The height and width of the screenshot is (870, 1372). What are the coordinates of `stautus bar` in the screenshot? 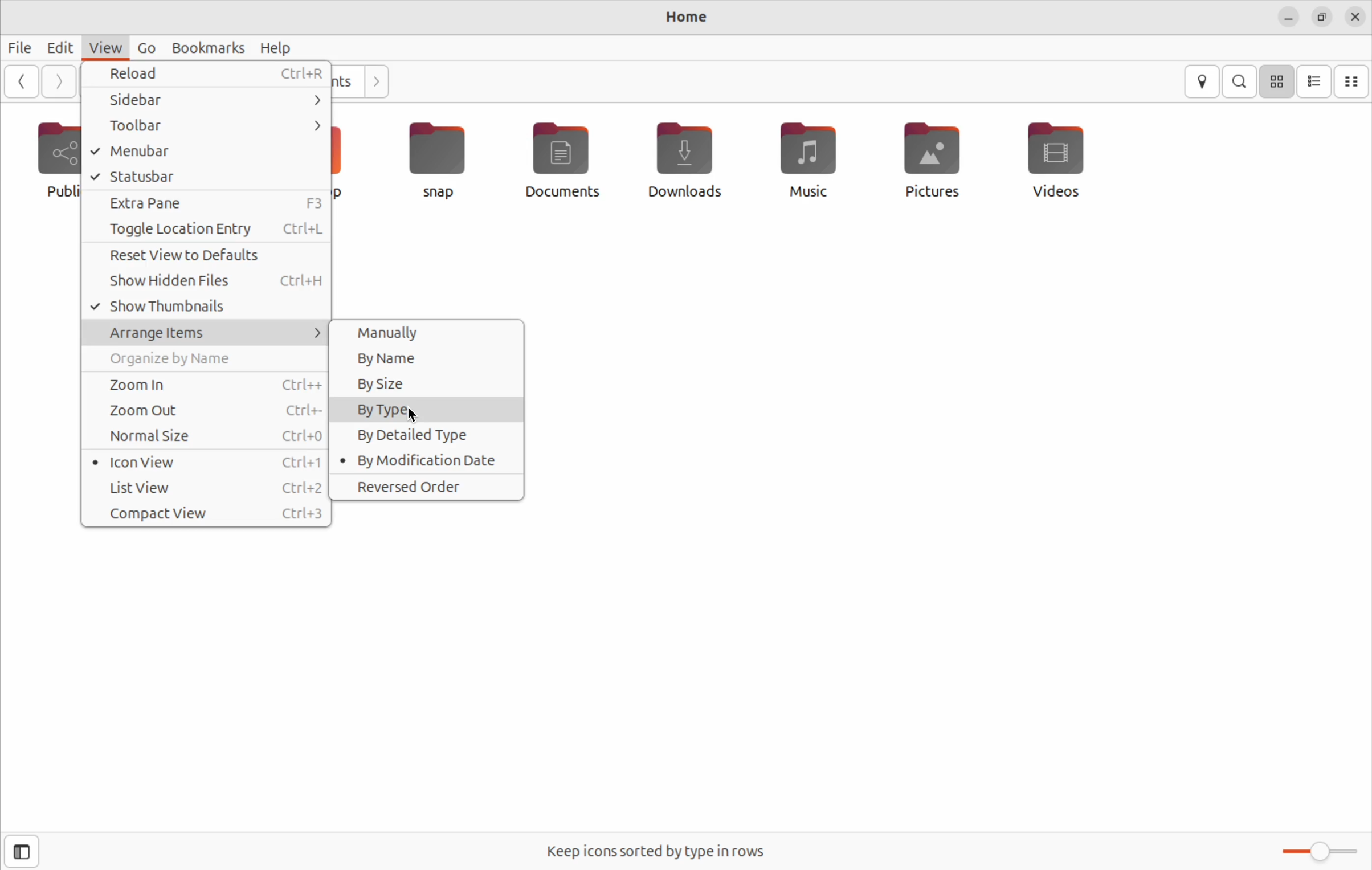 It's located at (205, 178).